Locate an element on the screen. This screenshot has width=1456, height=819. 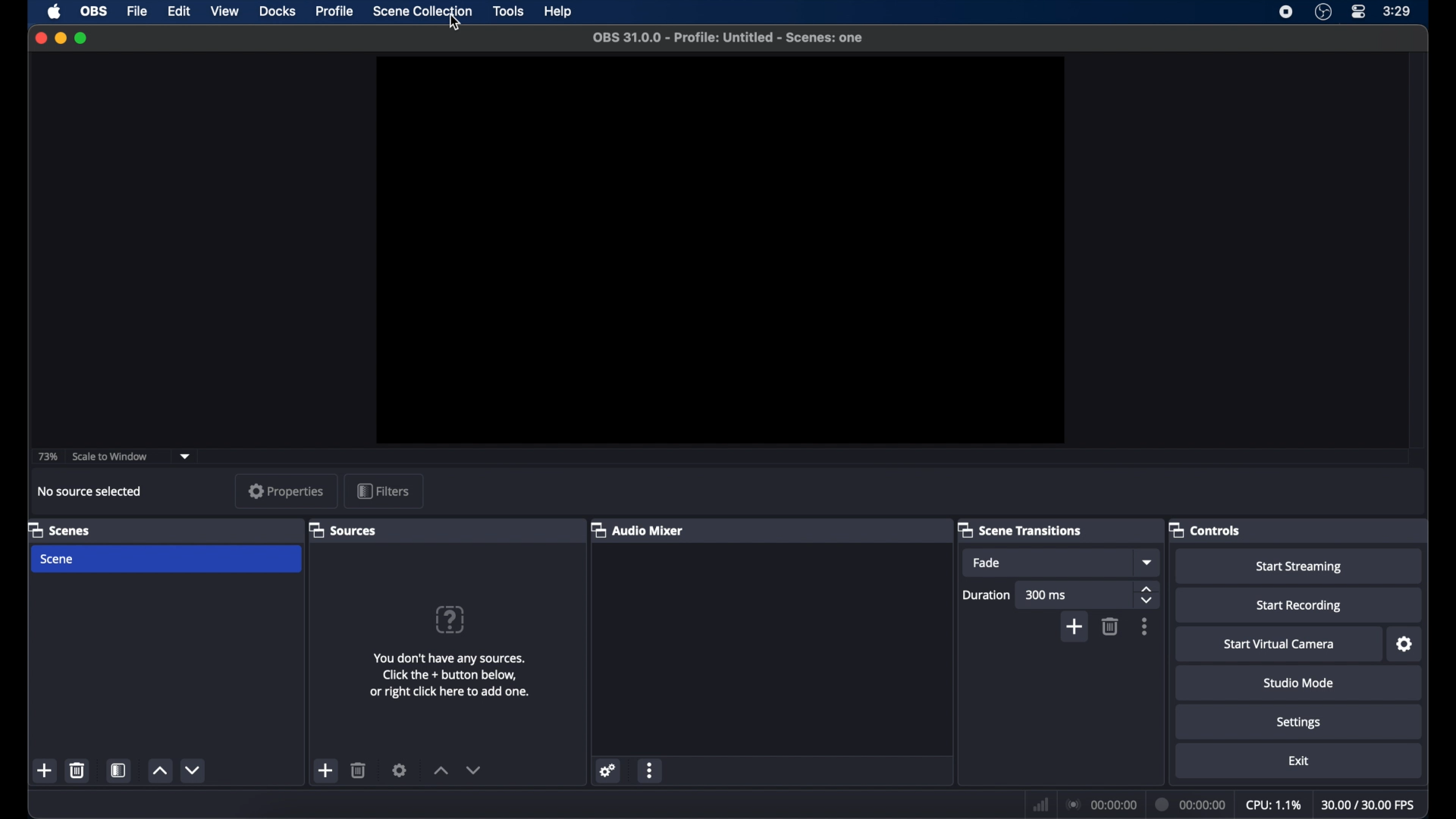
add is located at coordinates (1074, 628).